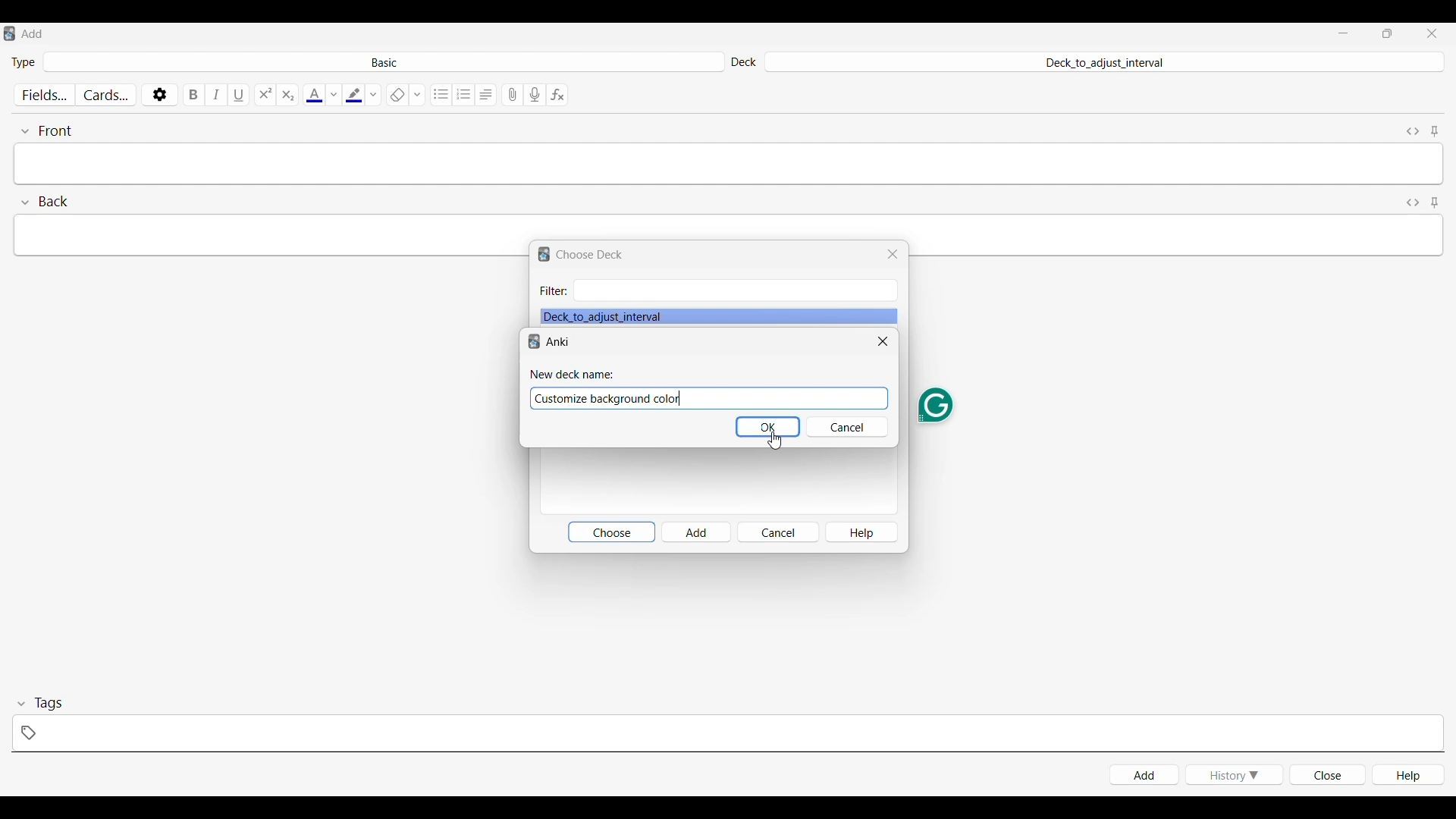  Describe the element at coordinates (397, 95) in the screenshot. I see `Remove formatting` at that location.